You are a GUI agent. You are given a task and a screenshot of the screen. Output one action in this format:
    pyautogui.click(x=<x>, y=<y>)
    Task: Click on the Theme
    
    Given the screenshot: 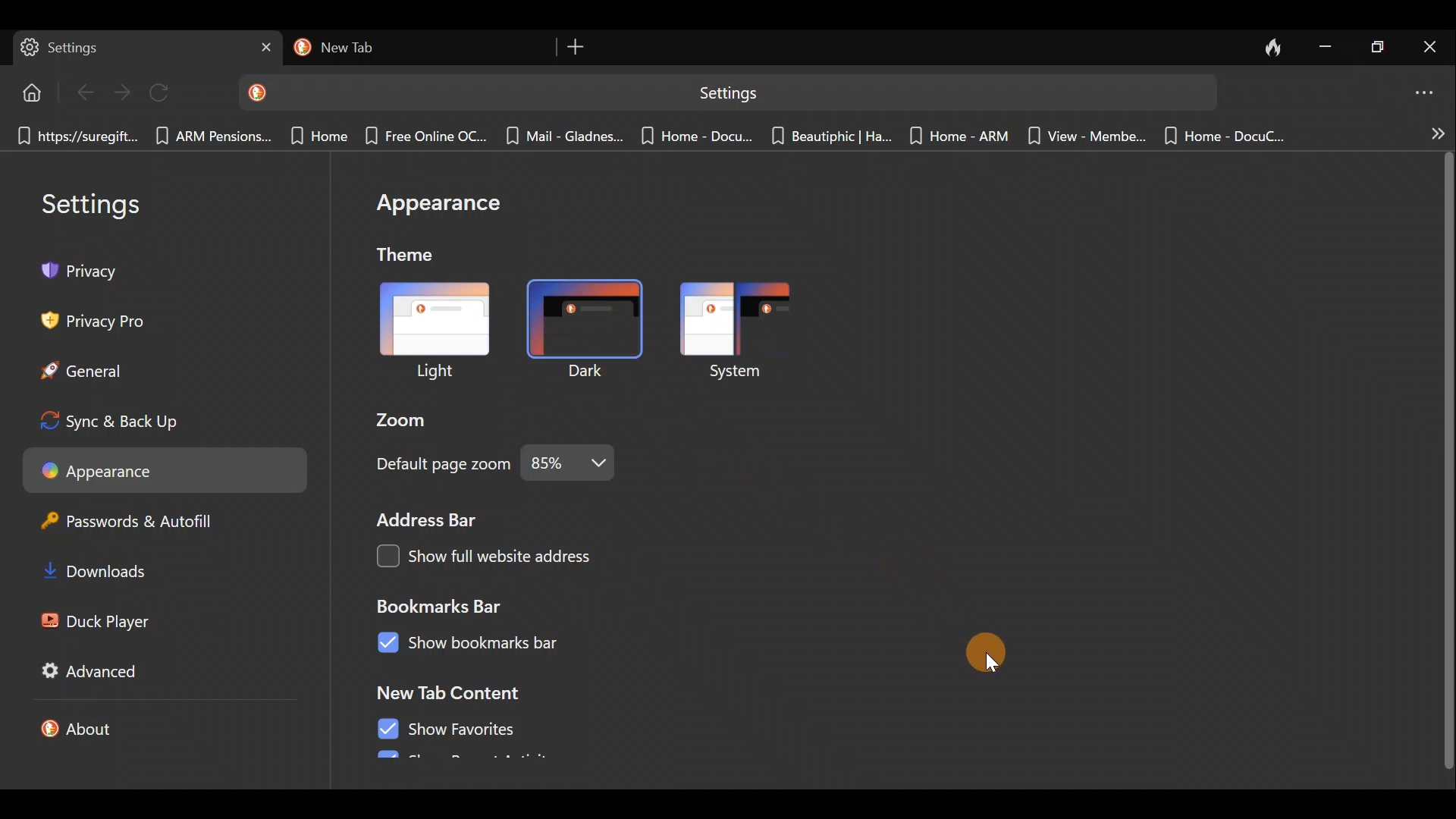 What is the action you would take?
    pyautogui.click(x=422, y=259)
    